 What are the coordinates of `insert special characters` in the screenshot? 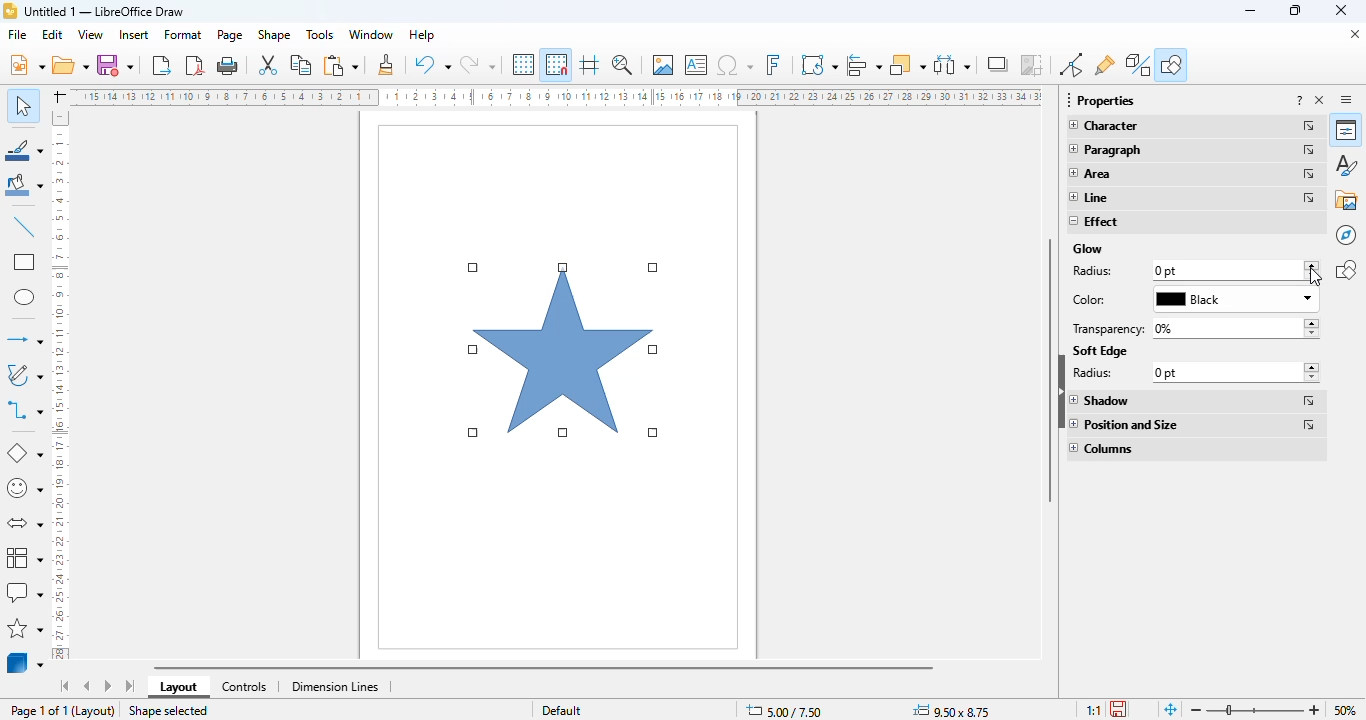 It's located at (735, 65).